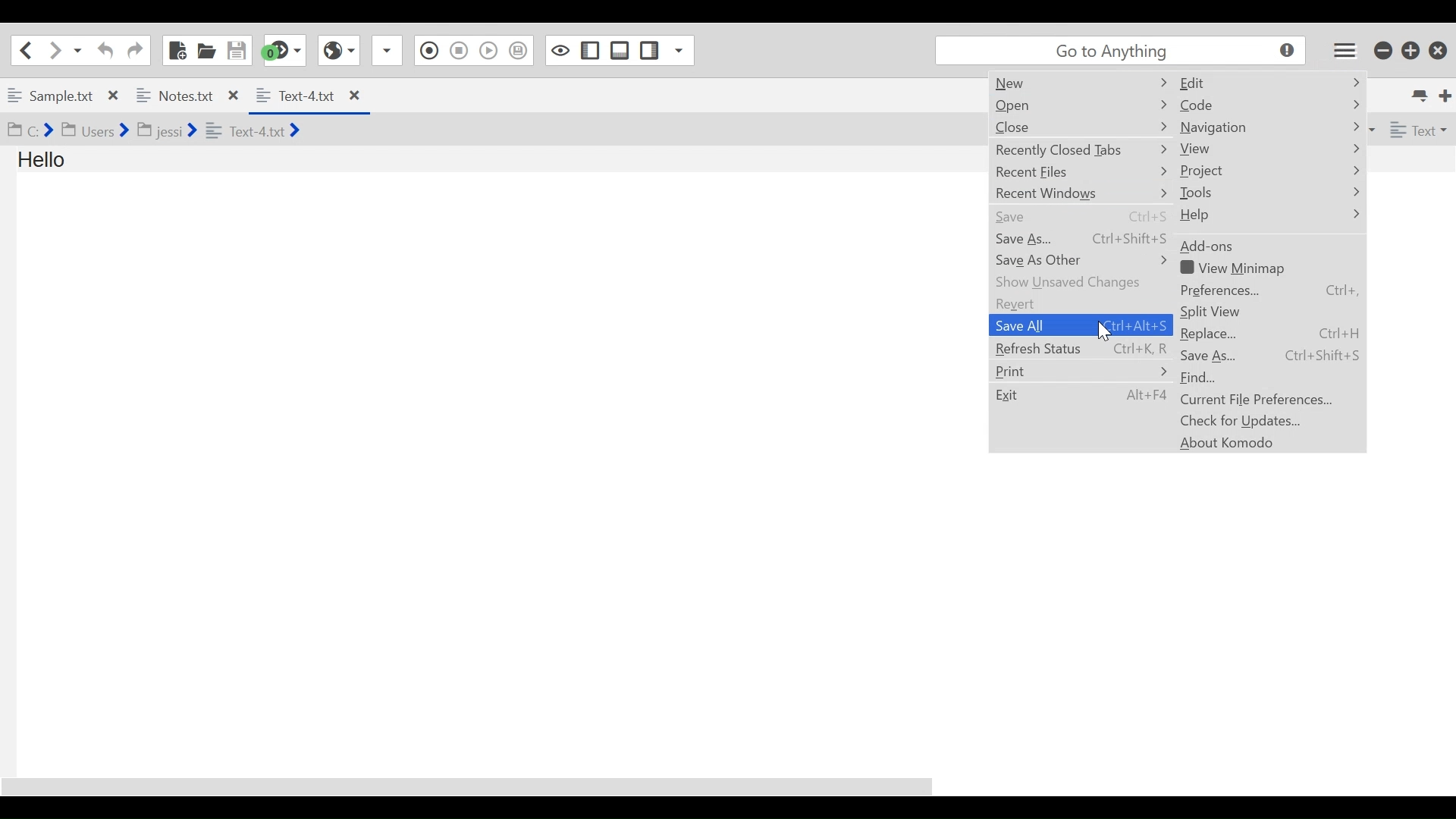 The height and width of the screenshot is (819, 1456). I want to click on Save, so click(1081, 216).